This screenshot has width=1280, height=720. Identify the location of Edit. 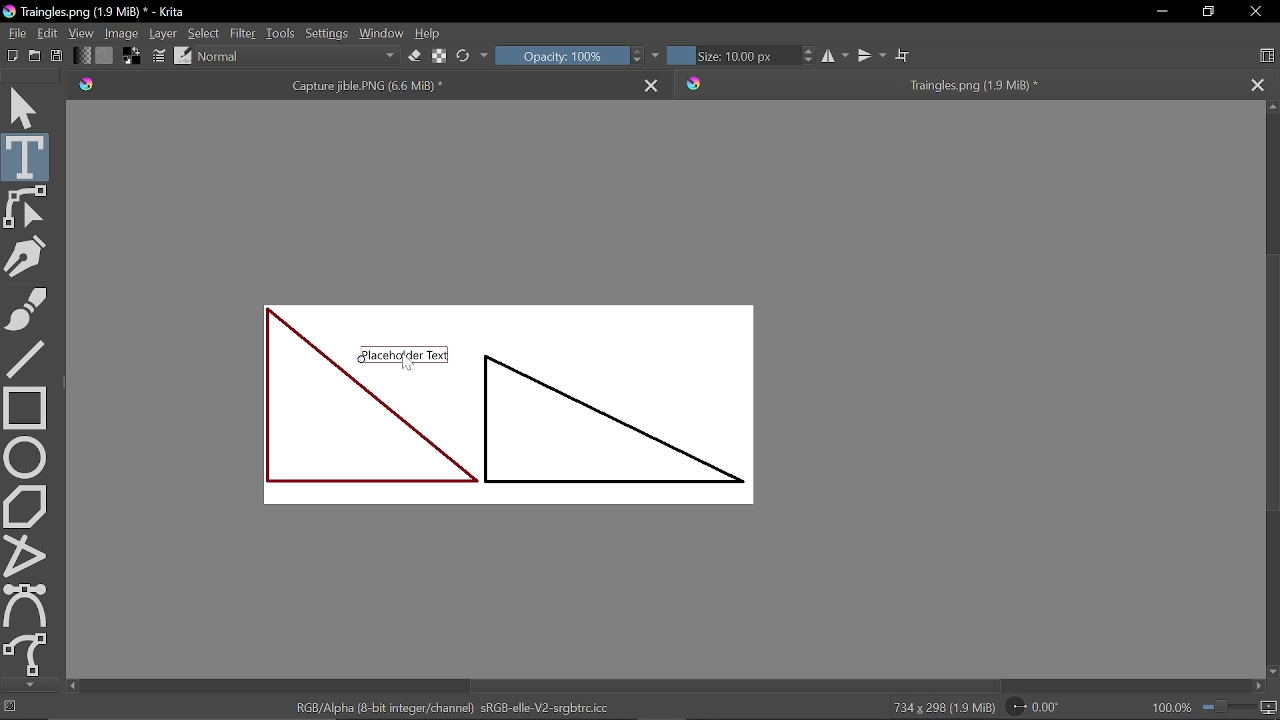
(49, 32).